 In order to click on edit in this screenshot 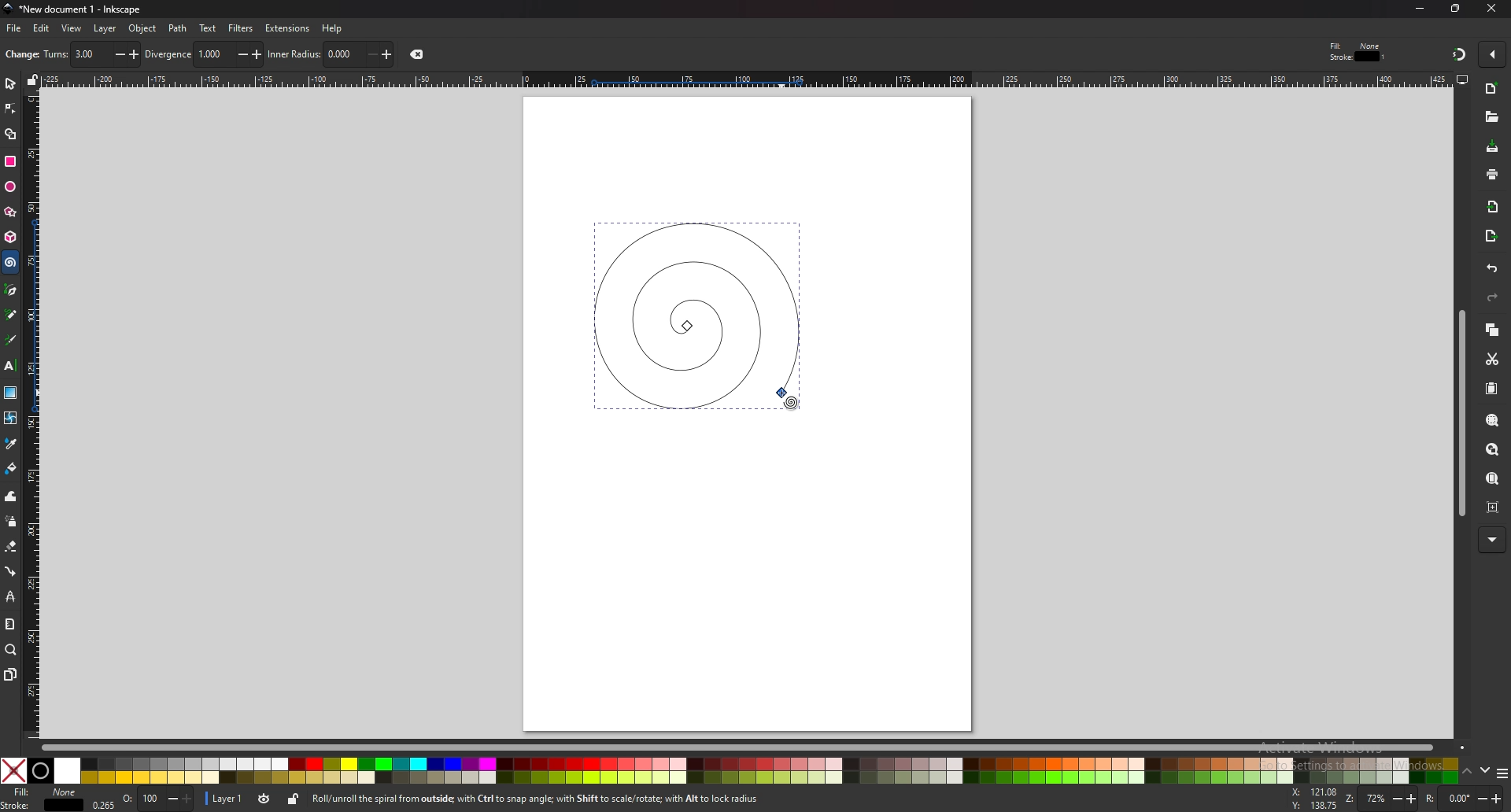, I will do `click(40, 28)`.